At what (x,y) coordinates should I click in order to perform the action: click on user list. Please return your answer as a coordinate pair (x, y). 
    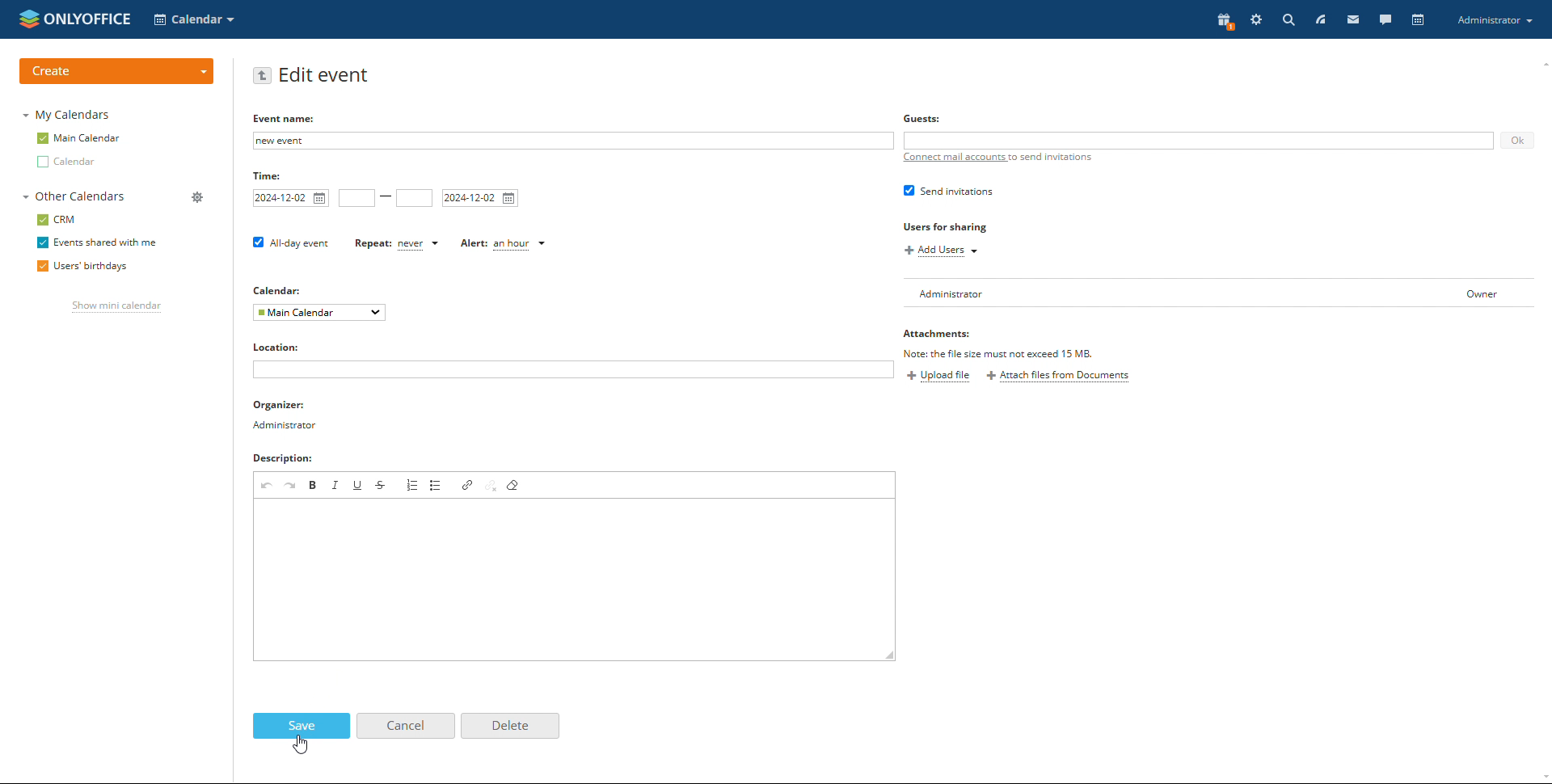
    Looking at the image, I should click on (1222, 293).